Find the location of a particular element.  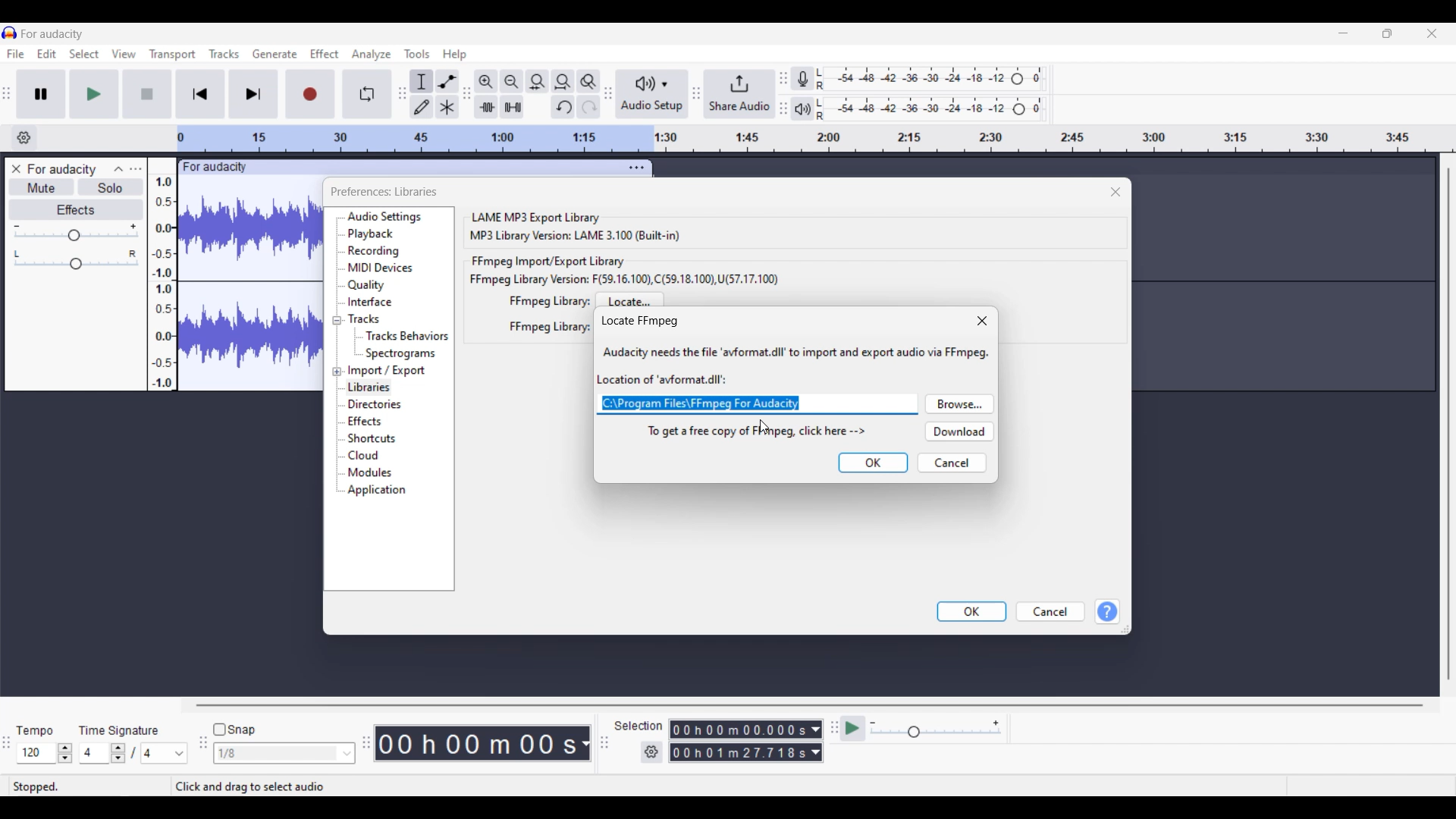

Transport menu is located at coordinates (172, 55).